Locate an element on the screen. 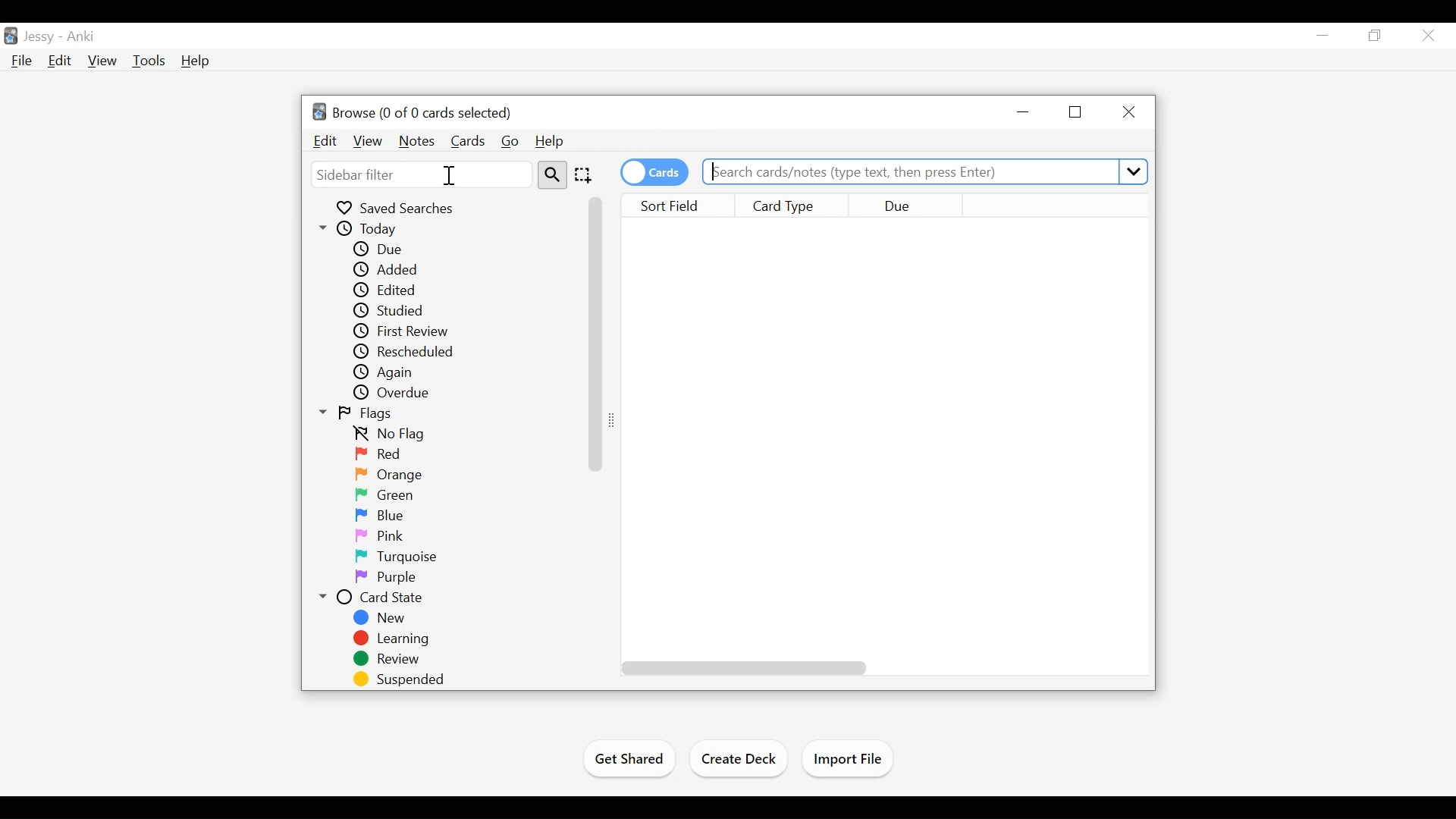 The height and width of the screenshot is (819, 1456). Search cards/notes  is located at coordinates (923, 173).